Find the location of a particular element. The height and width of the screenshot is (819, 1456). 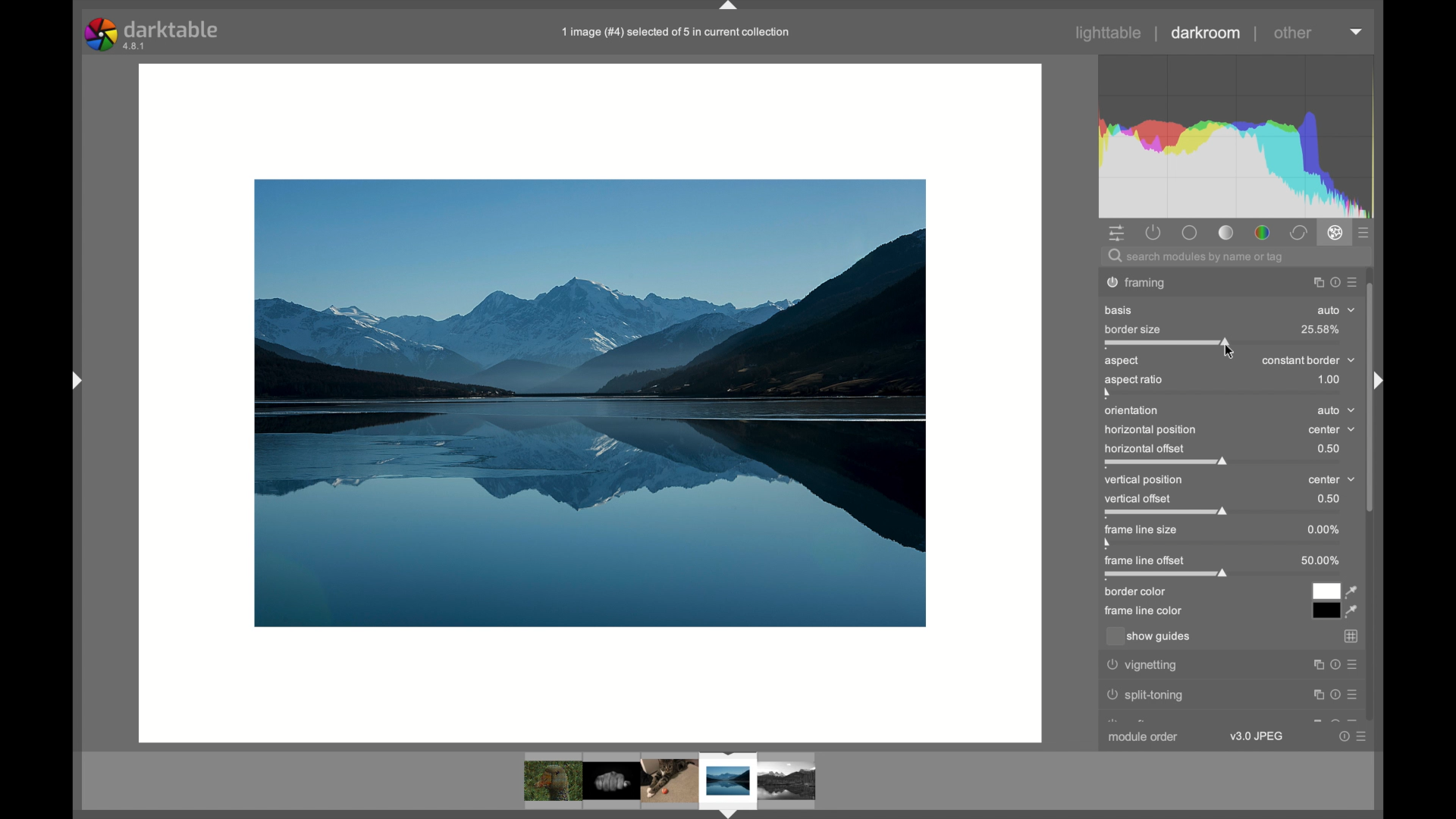

v3.0 JPEG is located at coordinates (1260, 736).